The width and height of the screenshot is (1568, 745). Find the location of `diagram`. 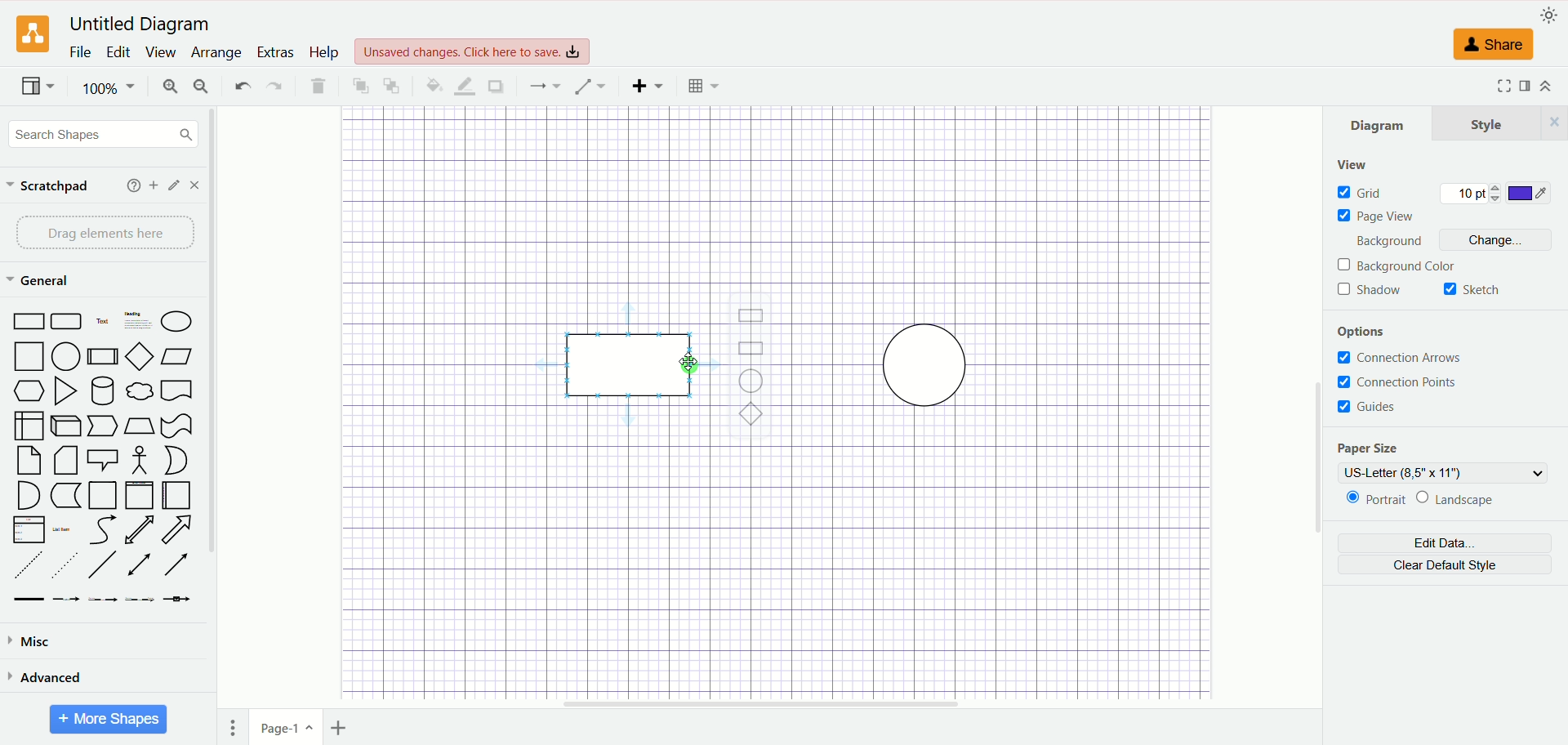

diagram is located at coordinates (1379, 124).